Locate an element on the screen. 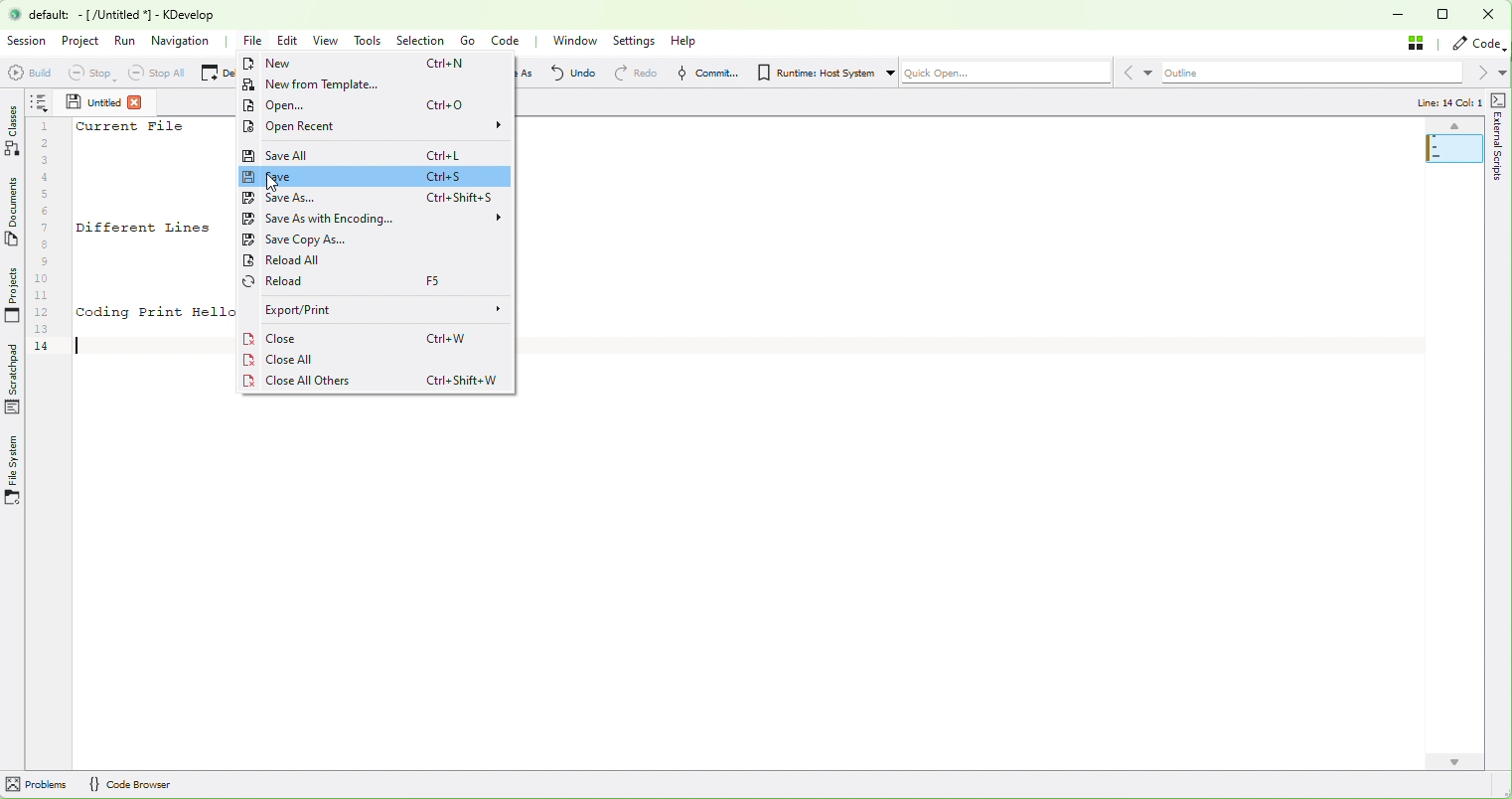  problem is located at coordinates (36, 783).